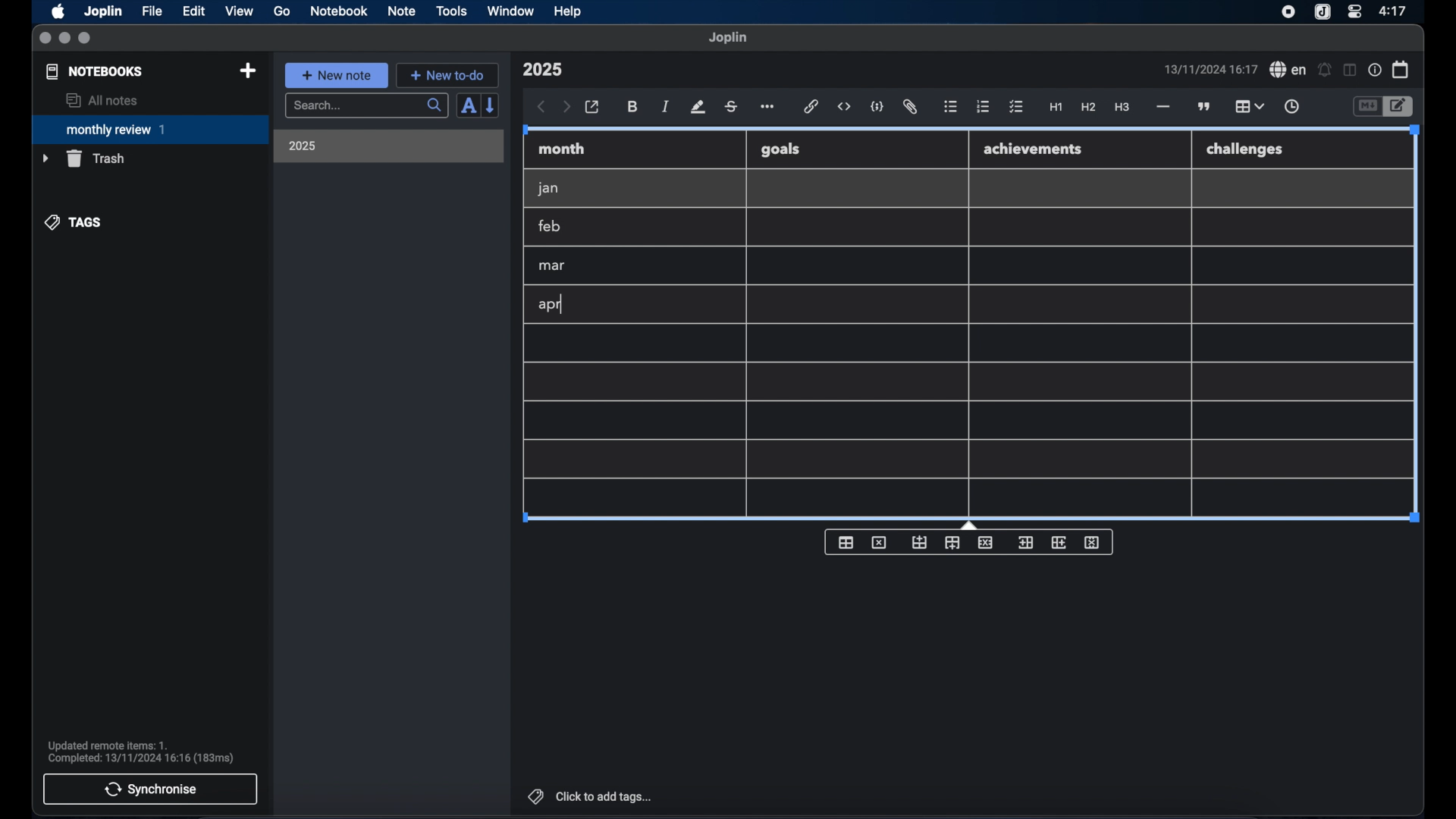  What do you see at coordinates (553, 266) in the screenshot?
I see `mar` at bounding box center [553, 266].